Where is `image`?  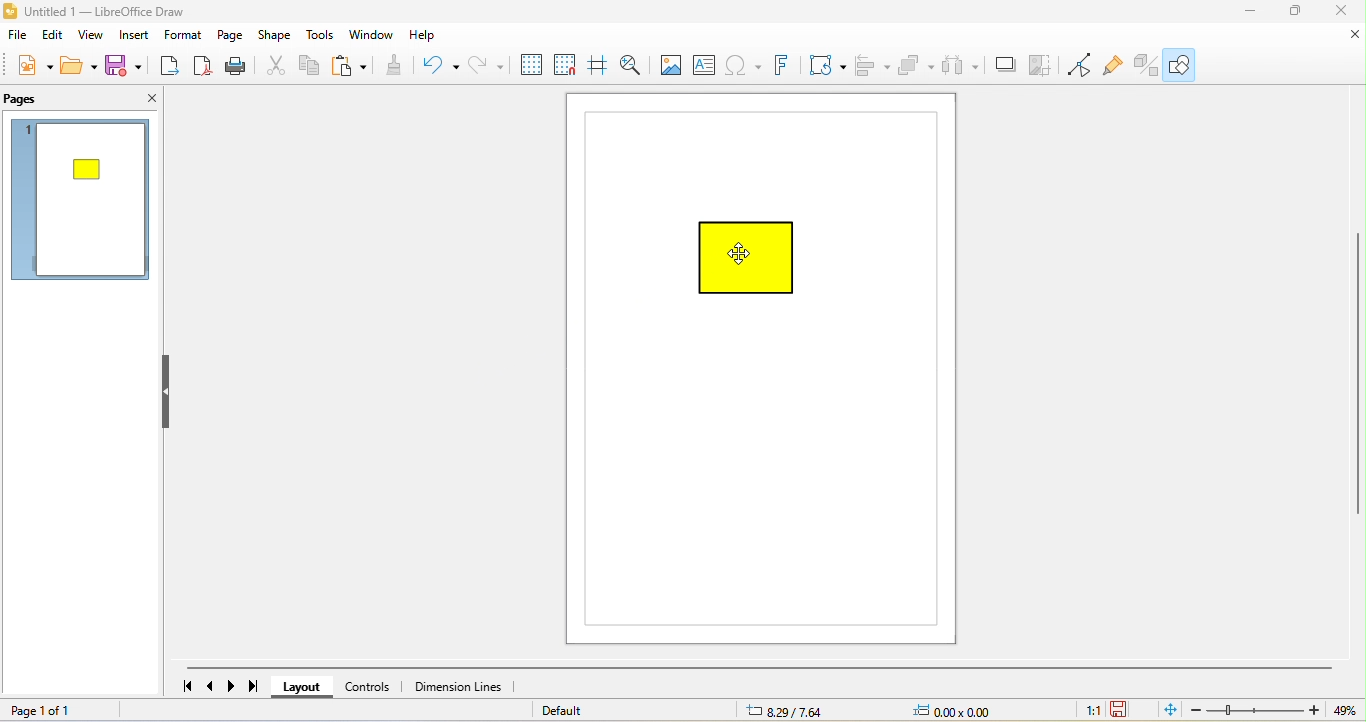 image is located at coordinates (668, 66).